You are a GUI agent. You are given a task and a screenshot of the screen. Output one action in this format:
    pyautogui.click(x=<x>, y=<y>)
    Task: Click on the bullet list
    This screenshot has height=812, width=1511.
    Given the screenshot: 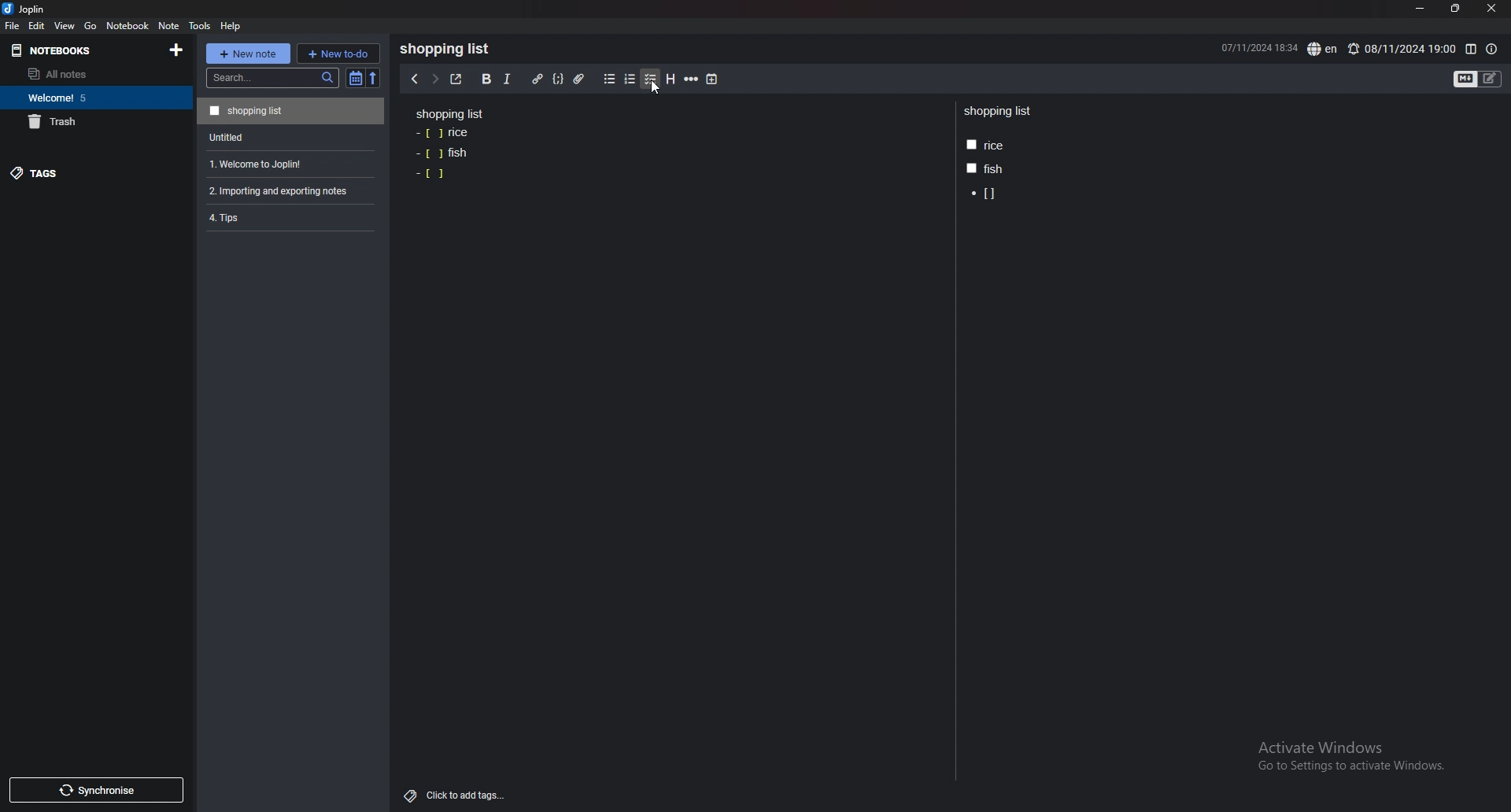 What is the action you would take?
    pyautogui.click(x=609, y=79)
    